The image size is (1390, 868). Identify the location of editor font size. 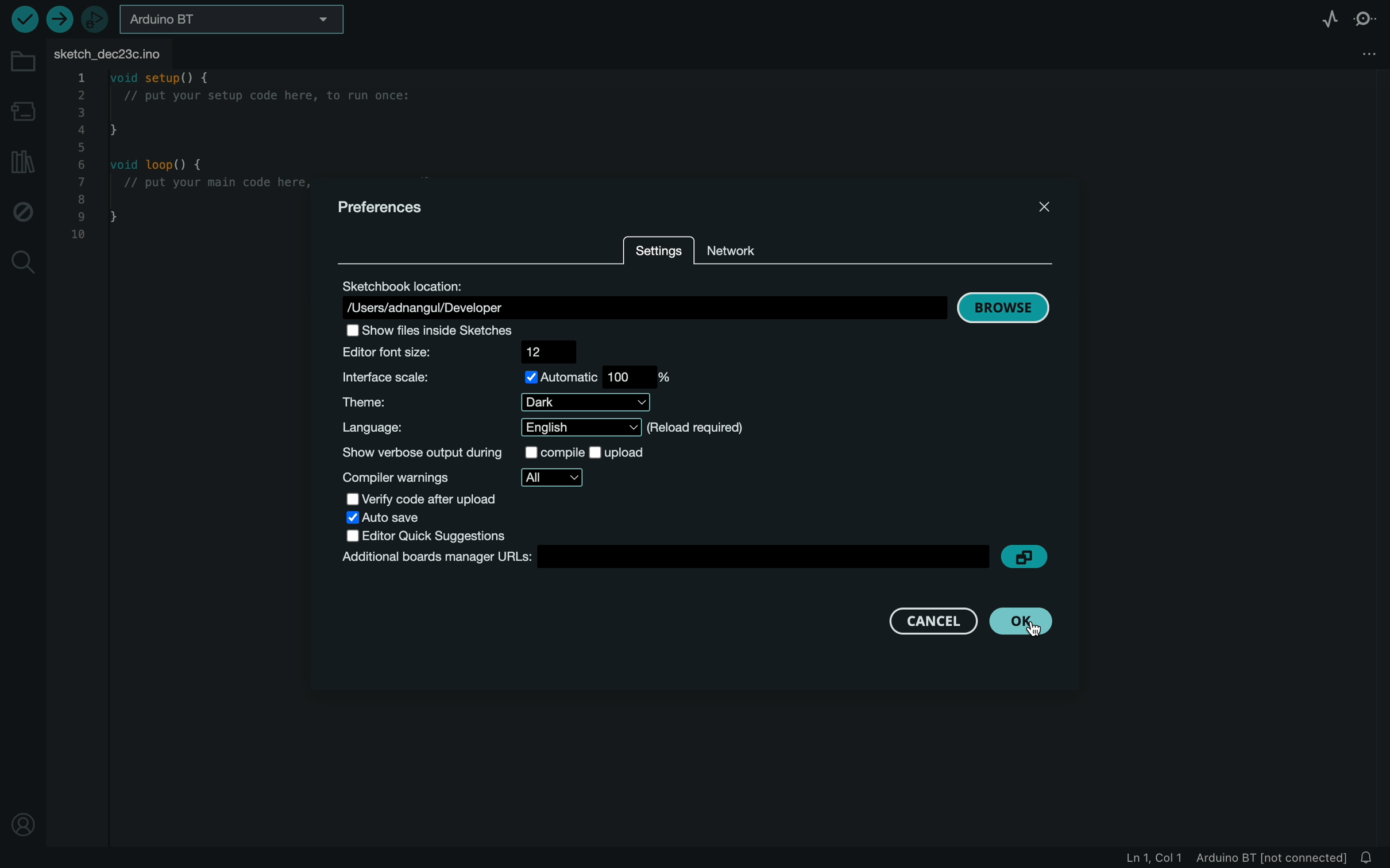
(454, 351).